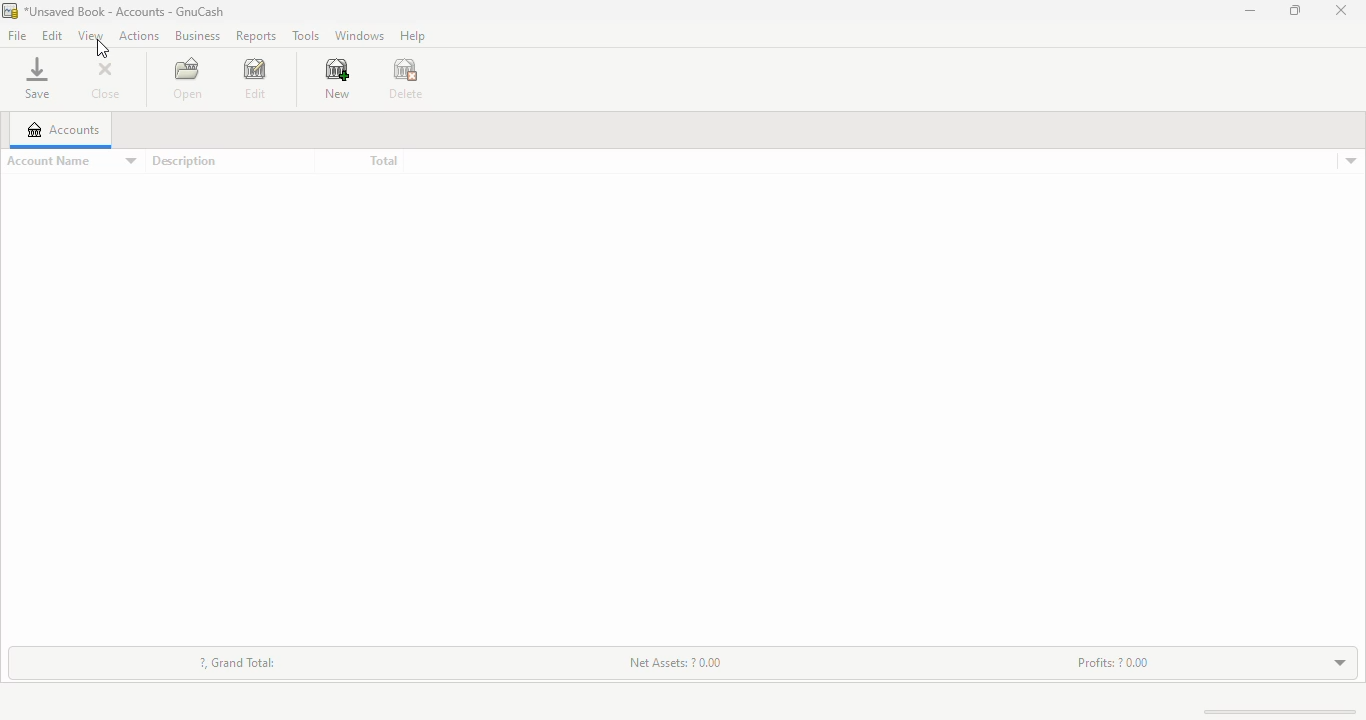 Image resolution: width=1366 pixels, height=720 pixels. What do you see at coordinates (1341, 663) in the screenshot?
I see `toggle expand` at bounding box center [1341, 663].